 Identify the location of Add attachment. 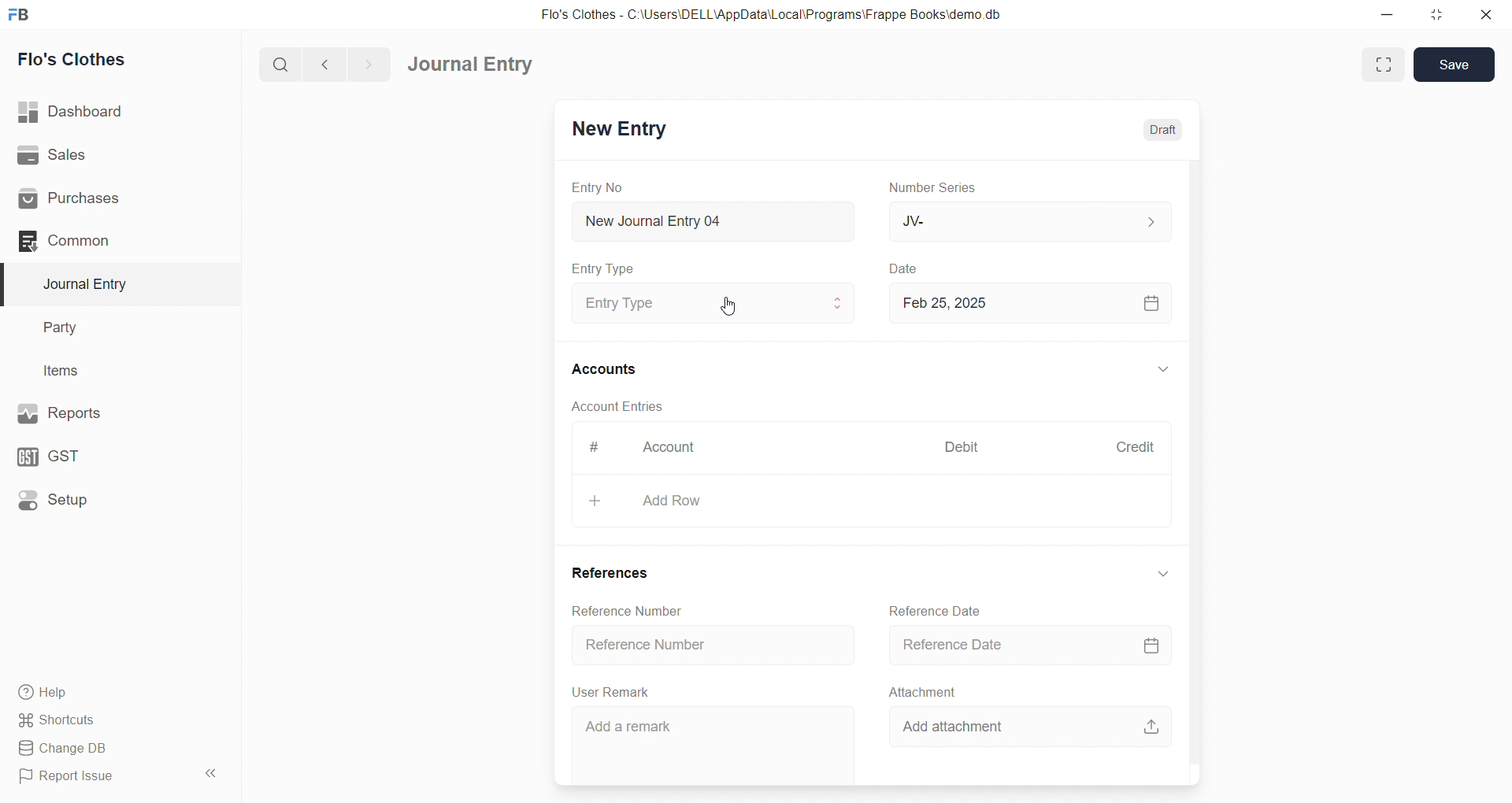
(1036, 723).